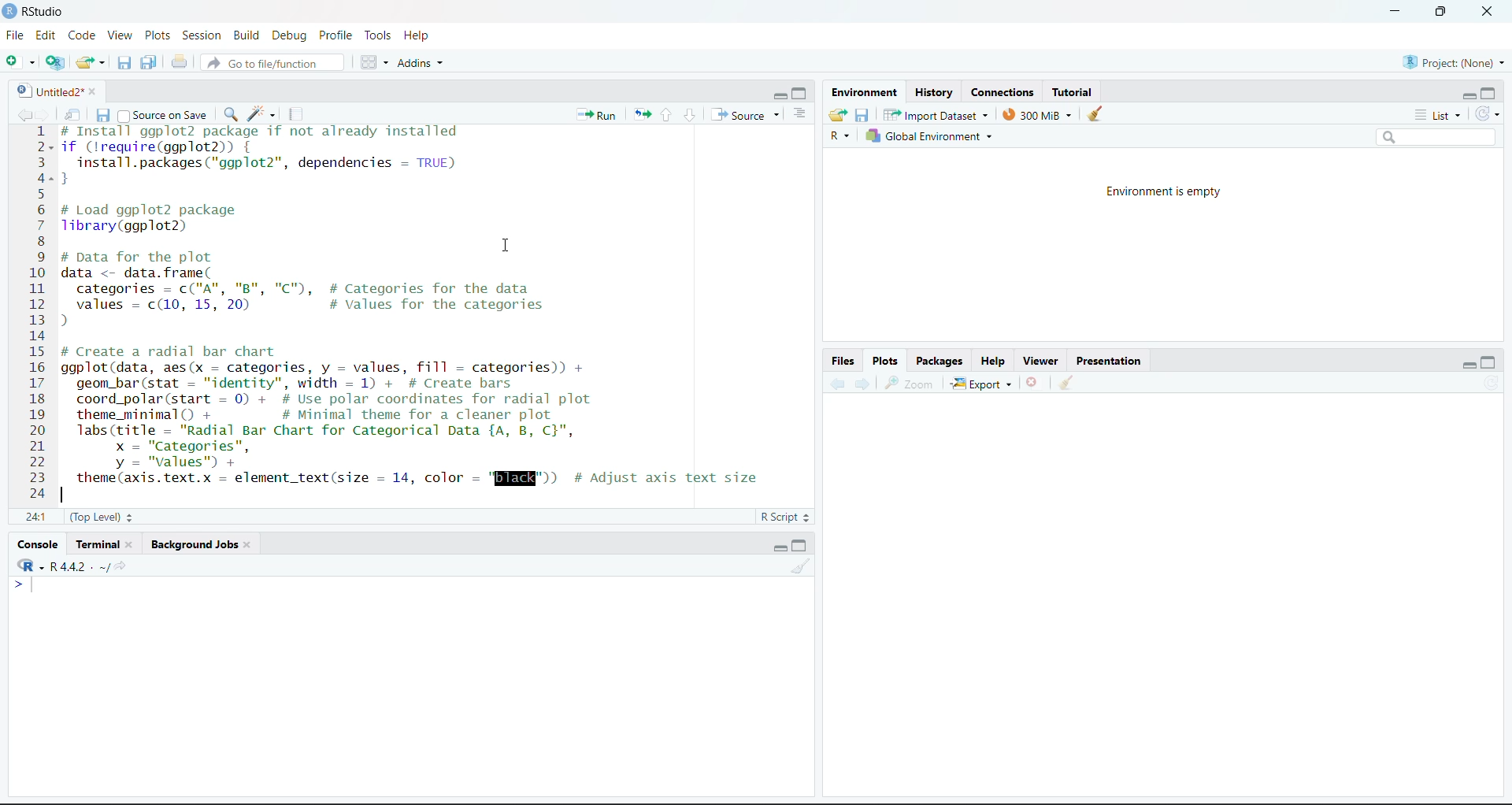 The image size is (1512, 805). Describe the element at coordinates (54, 63) in the screenshot. I see `create new project` at that location.